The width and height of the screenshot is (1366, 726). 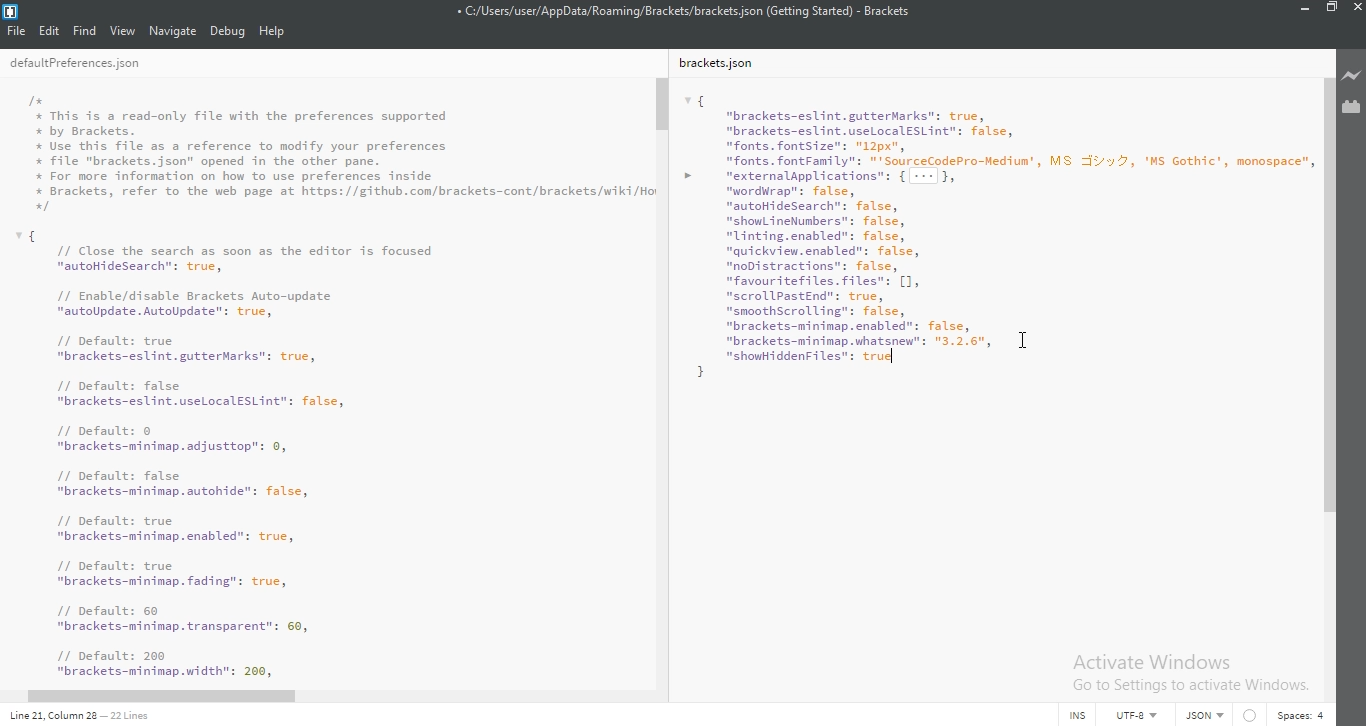 I want to click on scroll bar, so click(x=162, y=694).